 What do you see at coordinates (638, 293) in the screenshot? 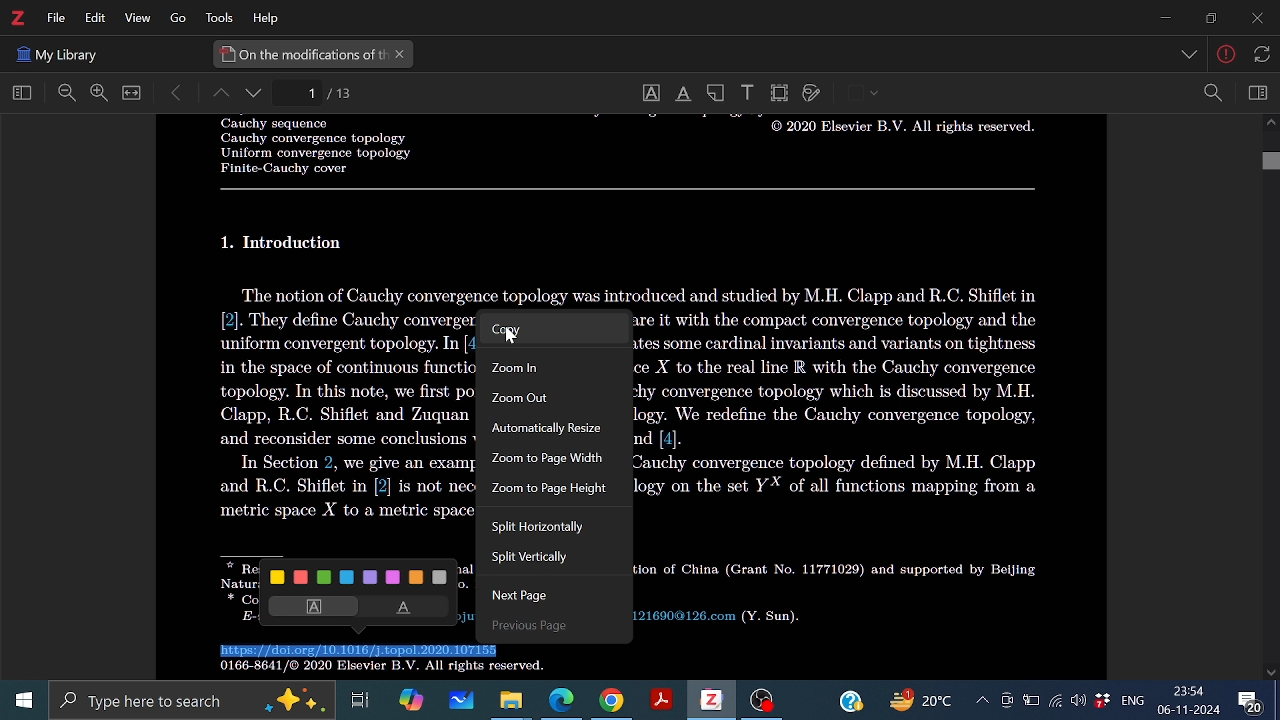
I see `` at bounding box center [638, 293].